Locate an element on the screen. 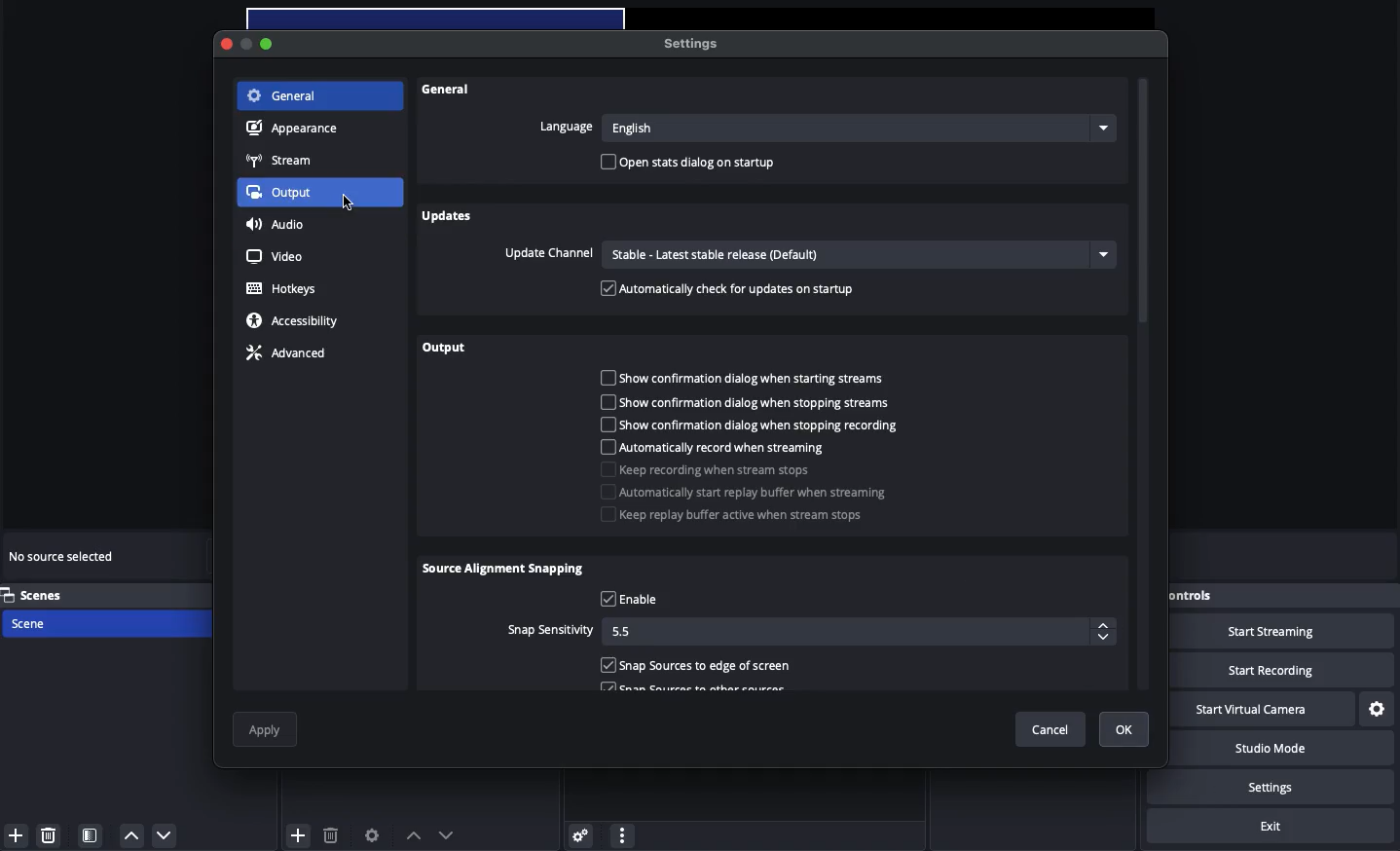  Button is located at coordinates (250, 46).